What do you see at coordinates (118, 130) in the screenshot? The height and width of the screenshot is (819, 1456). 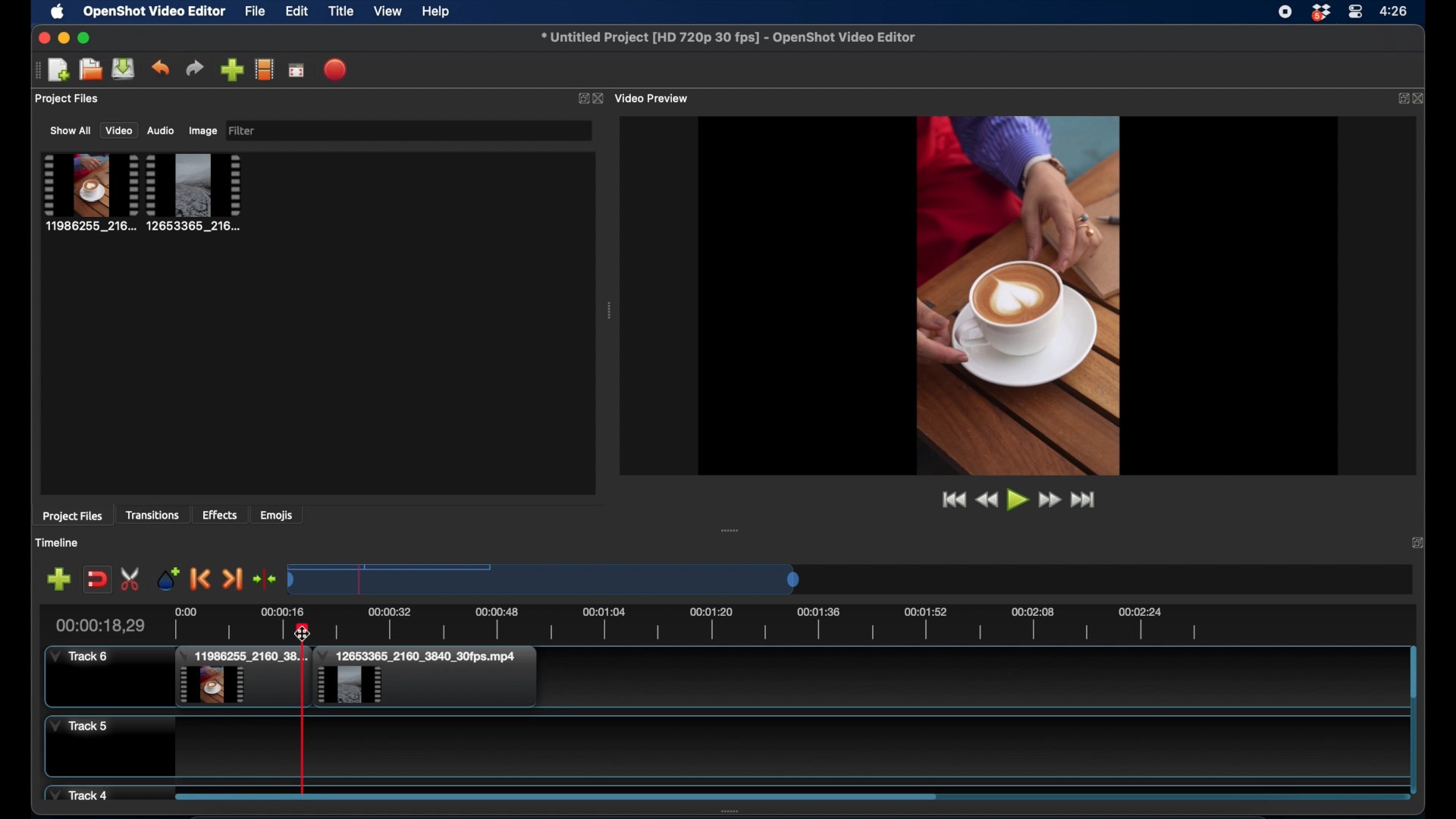 I see `video` at bounding box center [118, 130].